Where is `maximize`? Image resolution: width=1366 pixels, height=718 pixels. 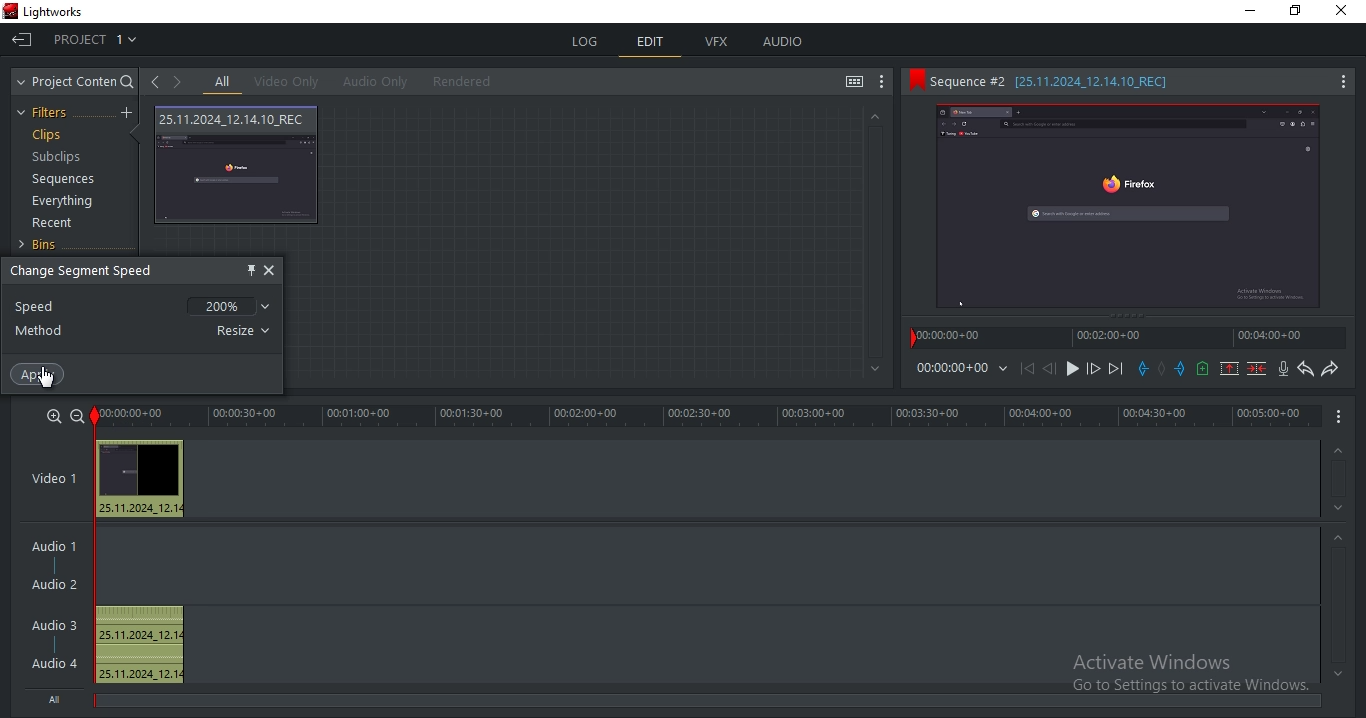
maximize is located at coordinates (1300, 12).